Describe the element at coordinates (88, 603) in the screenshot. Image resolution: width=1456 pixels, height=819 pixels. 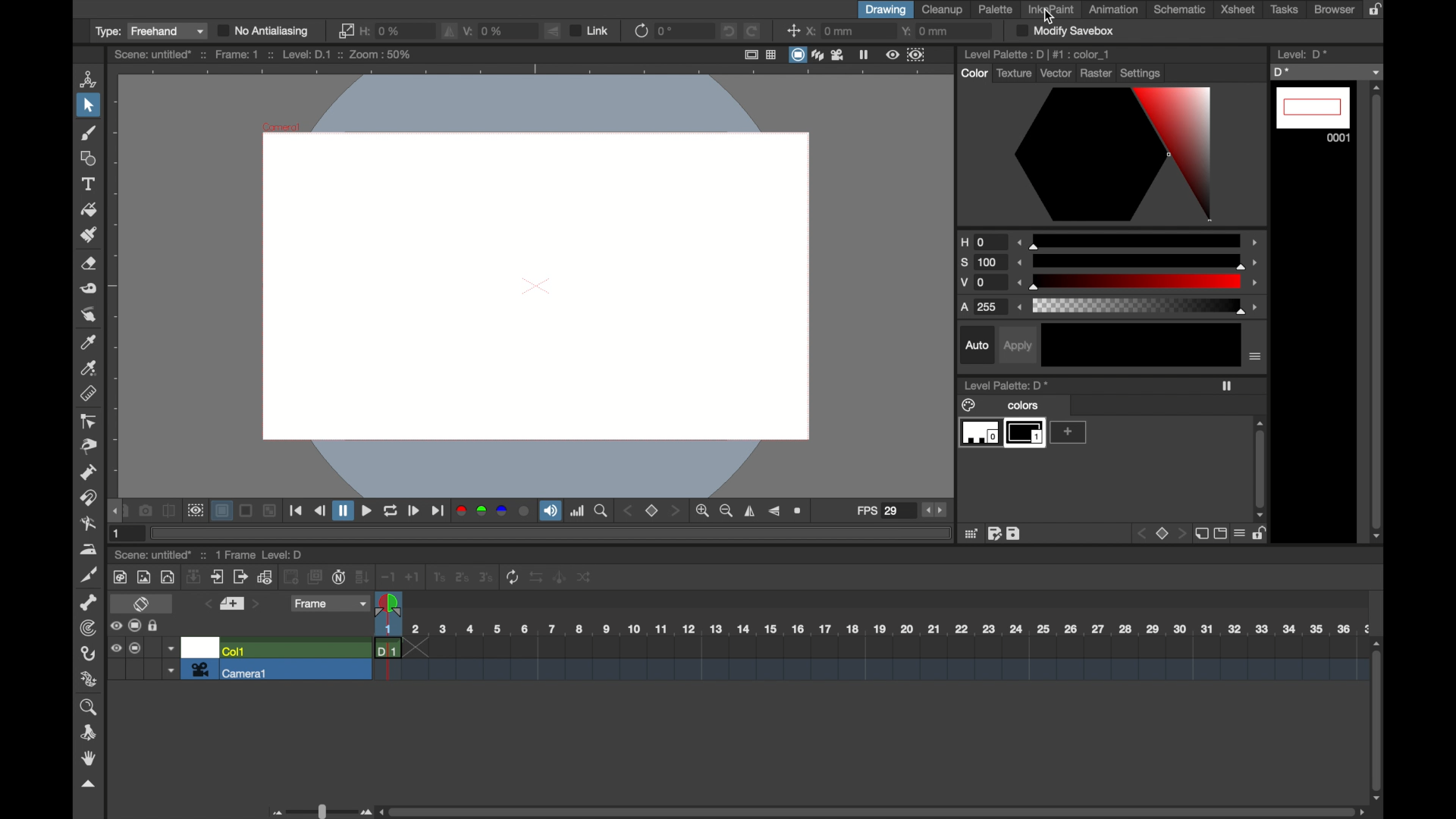
I see `skeleton tool` at that location.